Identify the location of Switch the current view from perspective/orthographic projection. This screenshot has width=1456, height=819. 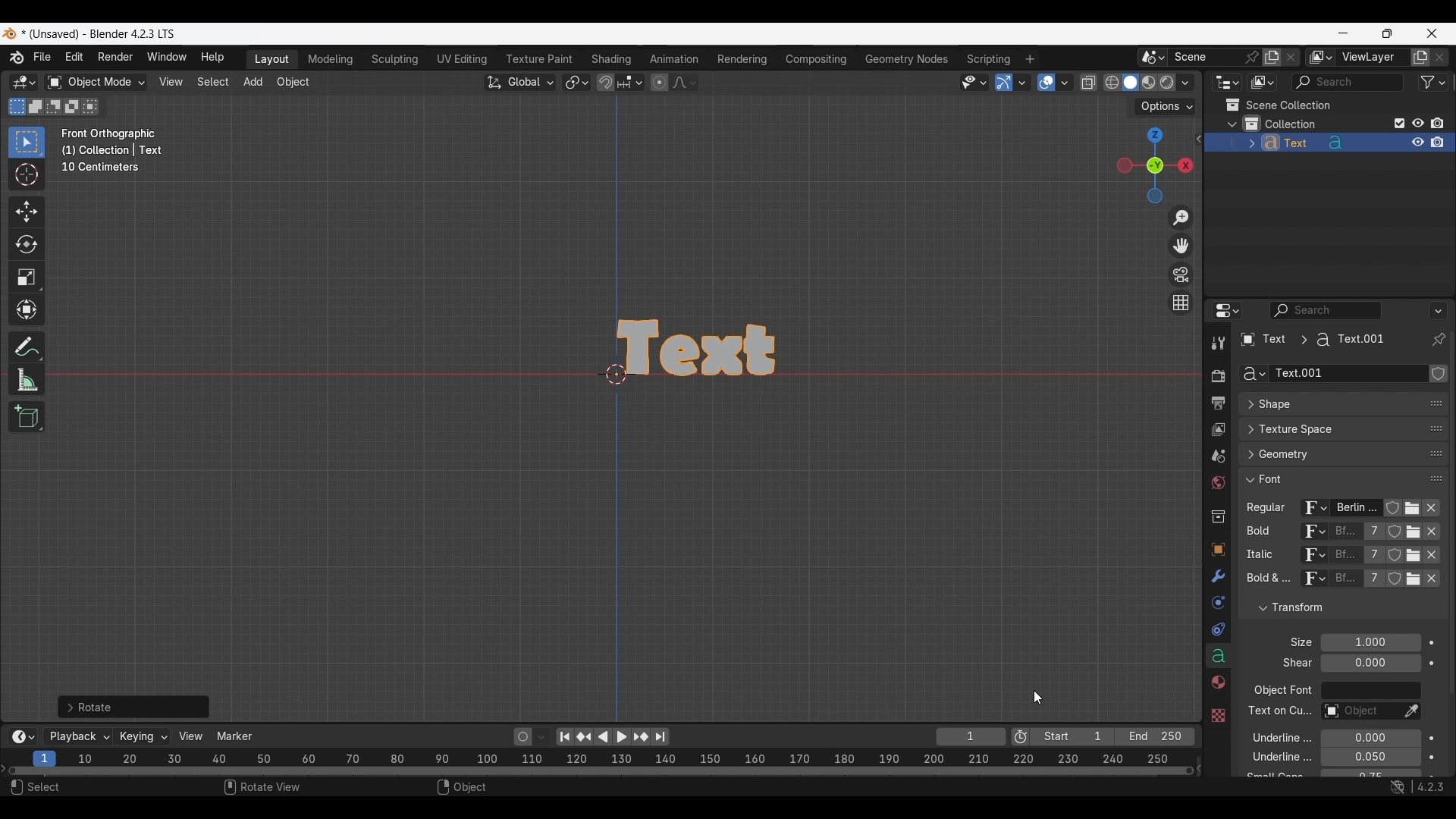
(1180, 302).